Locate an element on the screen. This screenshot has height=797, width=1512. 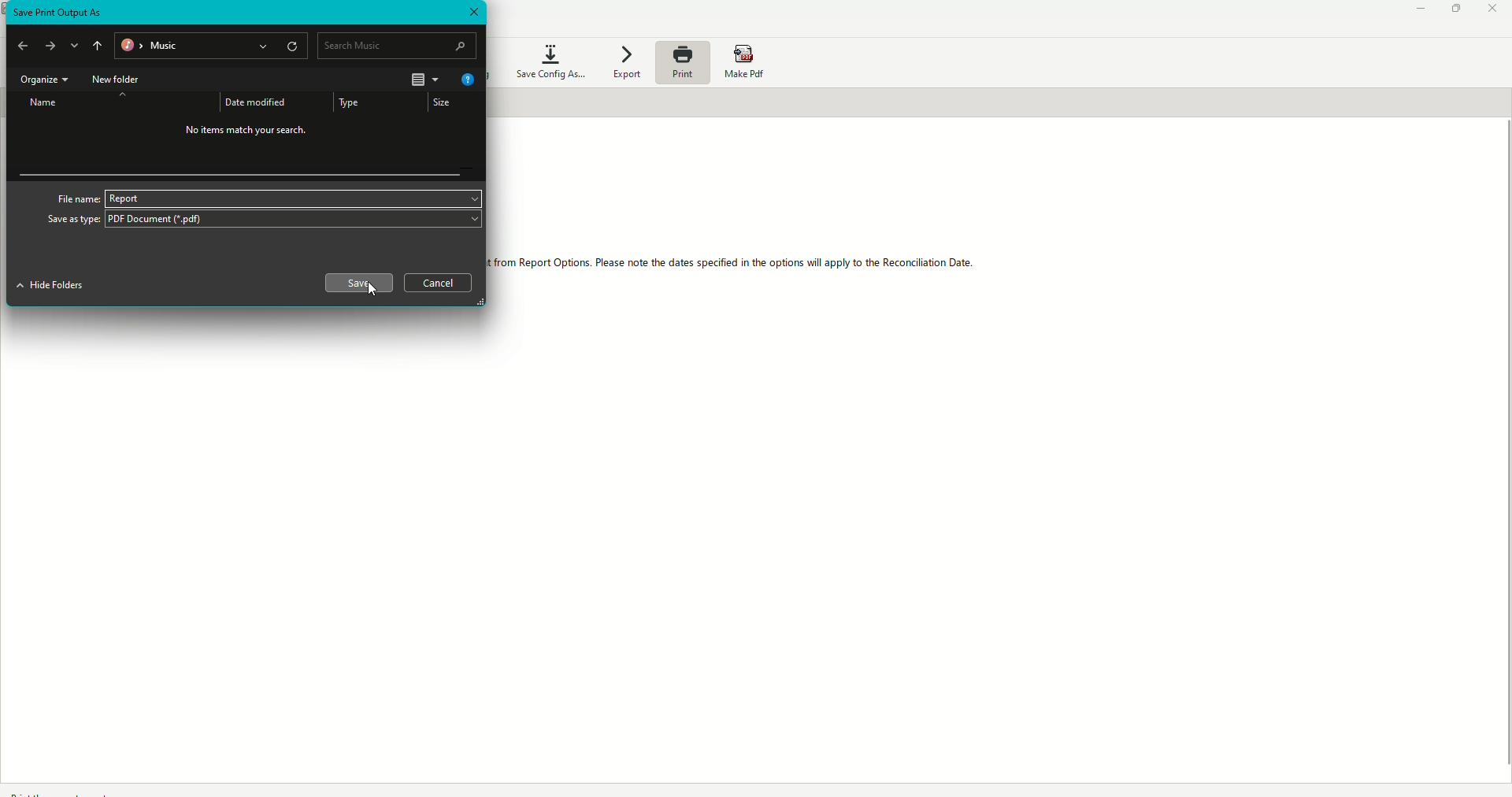
Minimize is located at coordinates (1413, 10).